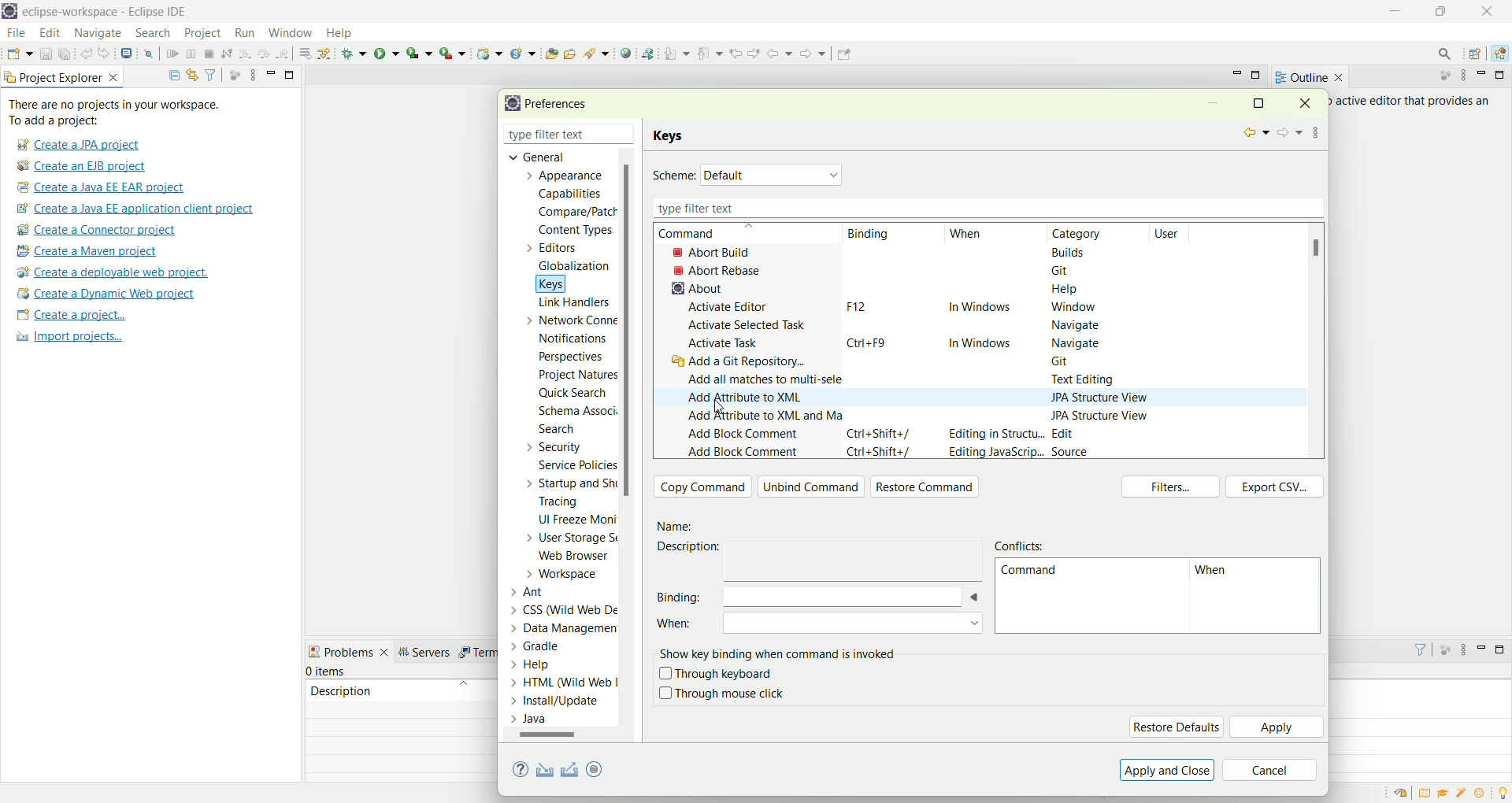 The image size is (1512, 803). What do you see at coordinates (677, 53) in the screenshot?
I see `next annotation` at bounding box center [677, 53].